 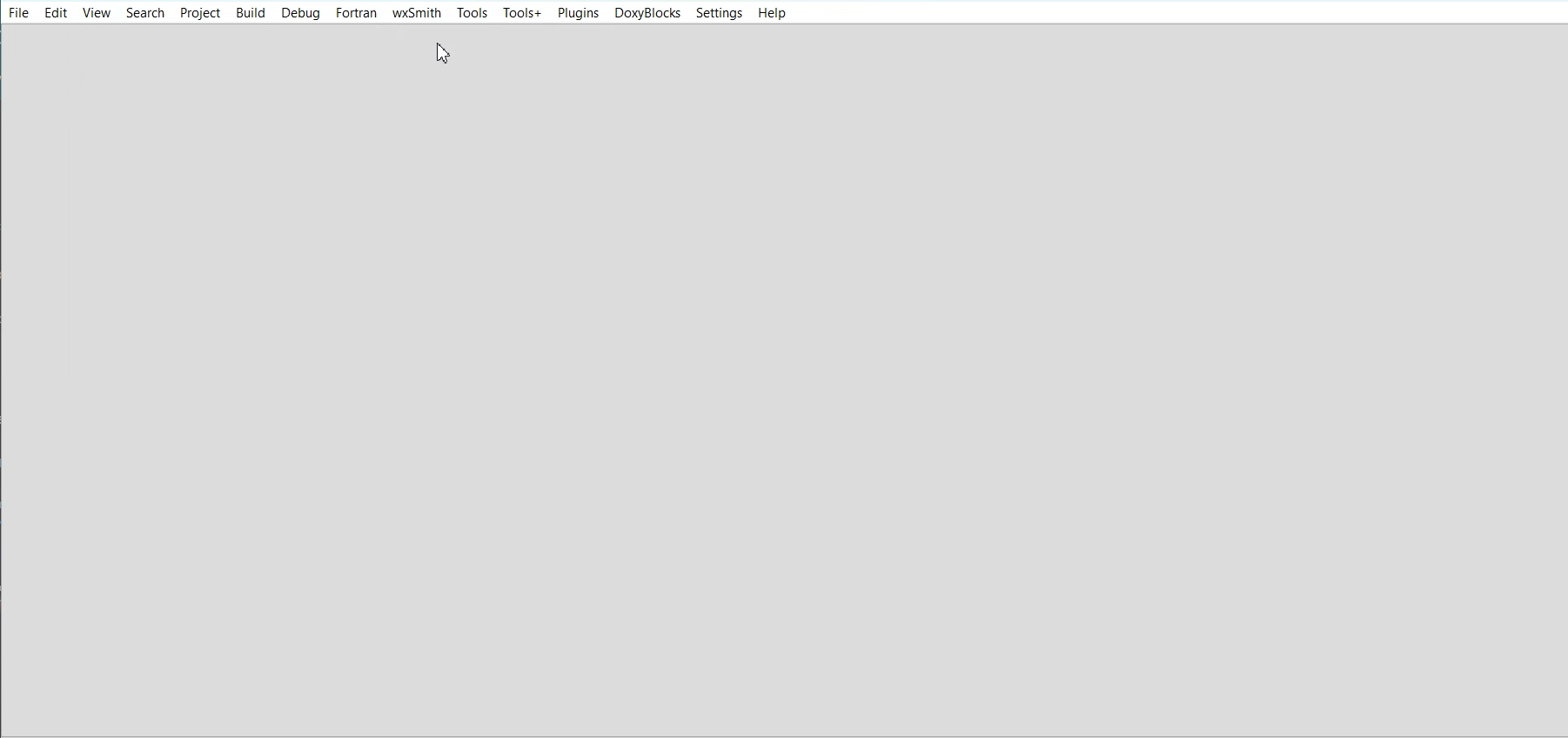 What do you see at coordinates (445, 53) in the screenshot?
I see `Cursor` at bounding box center [445, 53].